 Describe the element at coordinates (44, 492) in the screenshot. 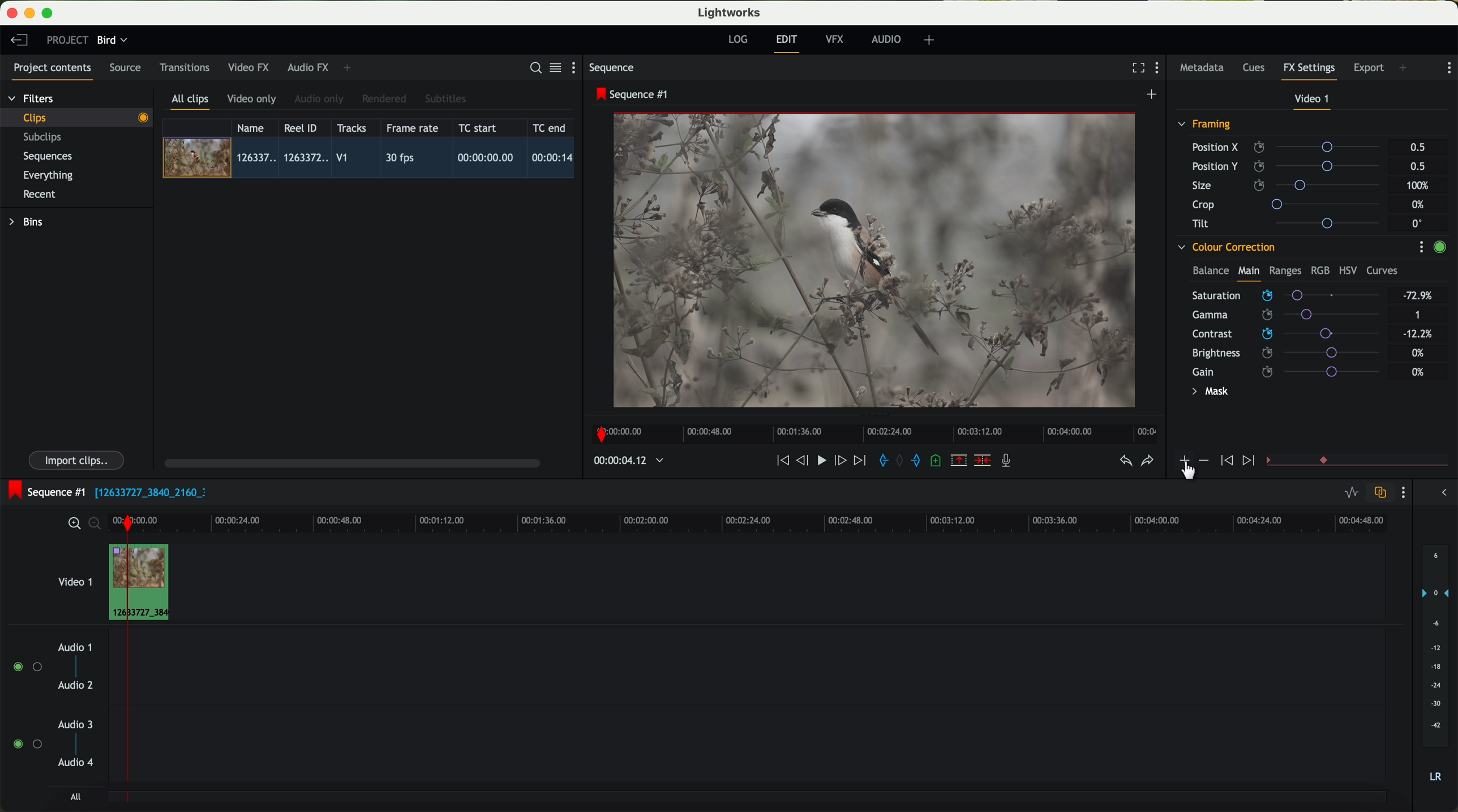

I see `sequence #1` at that location.